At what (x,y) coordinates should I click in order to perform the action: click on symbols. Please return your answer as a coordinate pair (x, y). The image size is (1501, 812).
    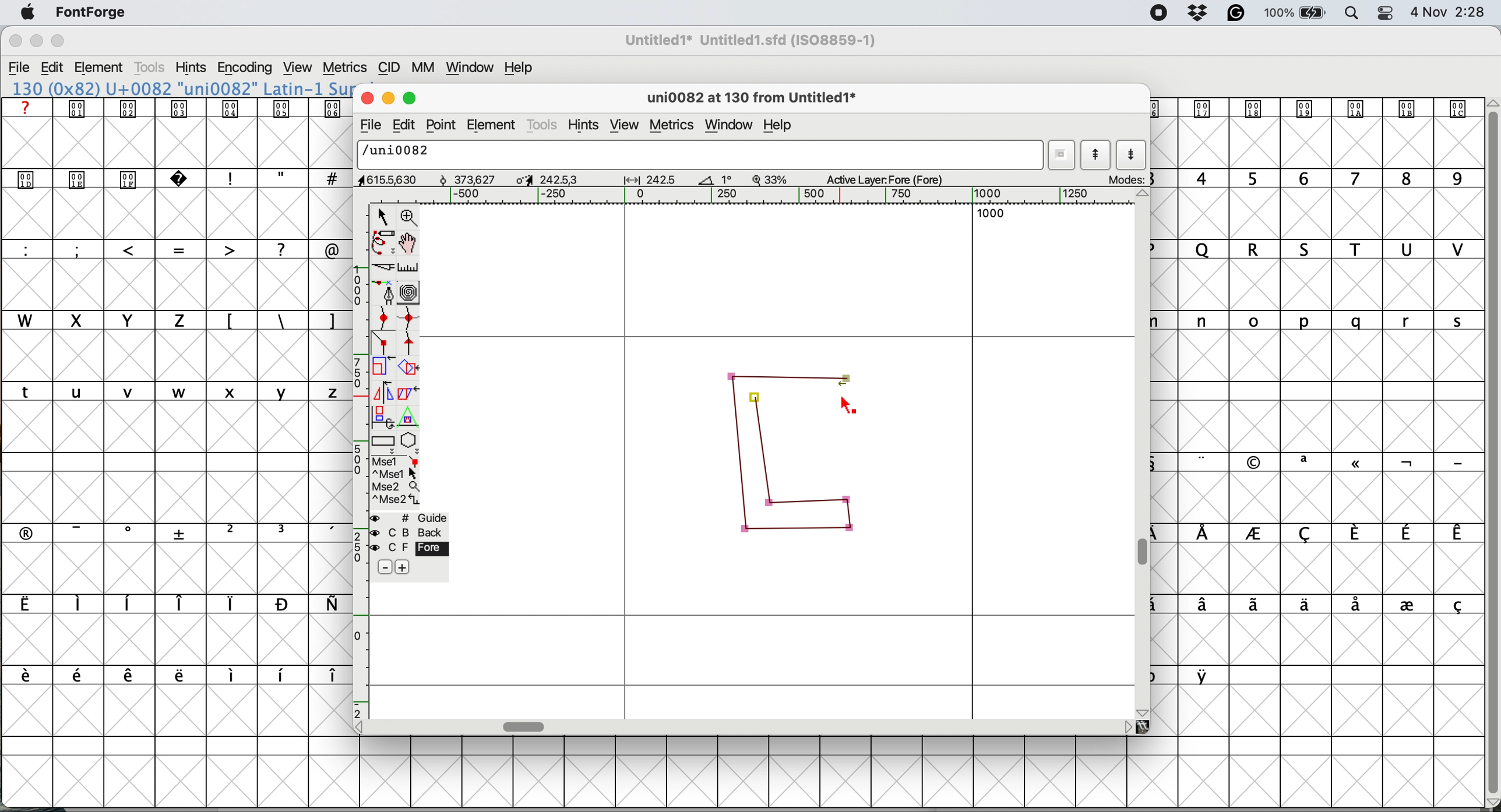
    Looking at the image, I should click on (281, 322).